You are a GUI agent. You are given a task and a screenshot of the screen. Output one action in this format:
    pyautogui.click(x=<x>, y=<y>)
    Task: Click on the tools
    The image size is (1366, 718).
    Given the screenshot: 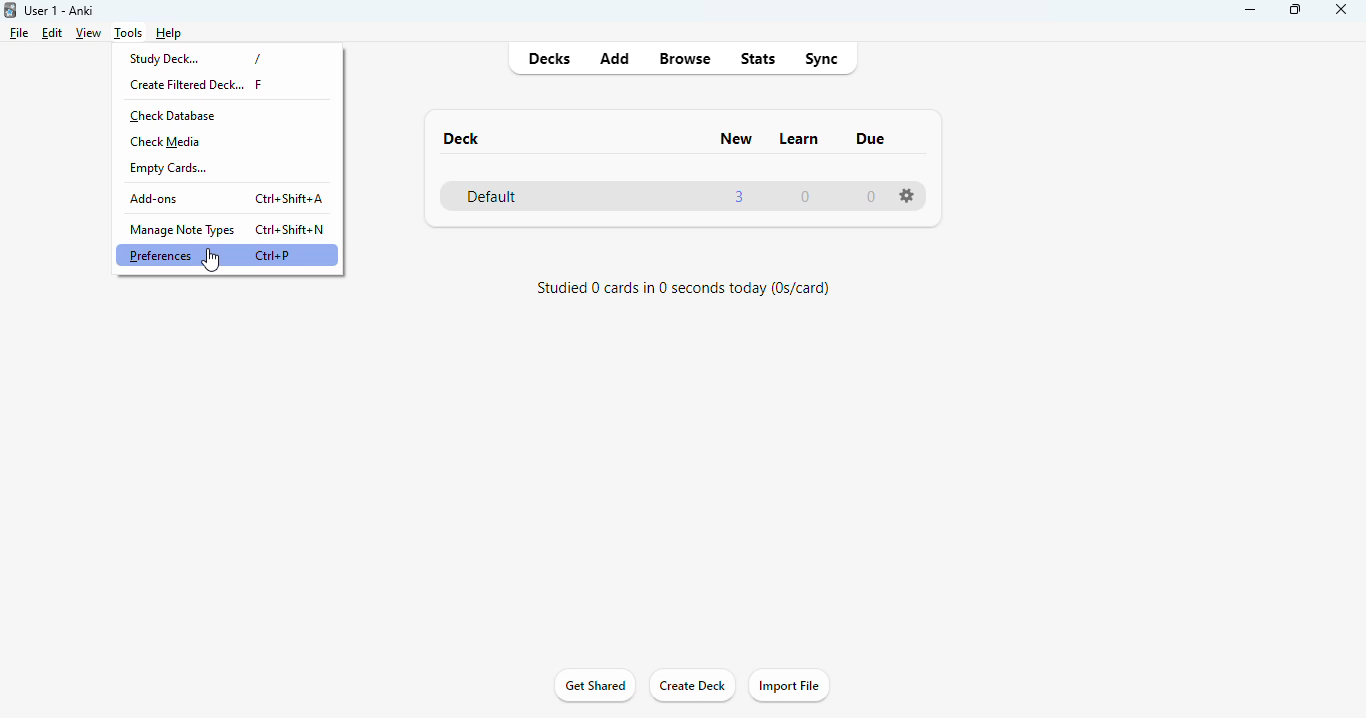 What is the action you would take?
    pyautogui.click(x=128, y=33)
    